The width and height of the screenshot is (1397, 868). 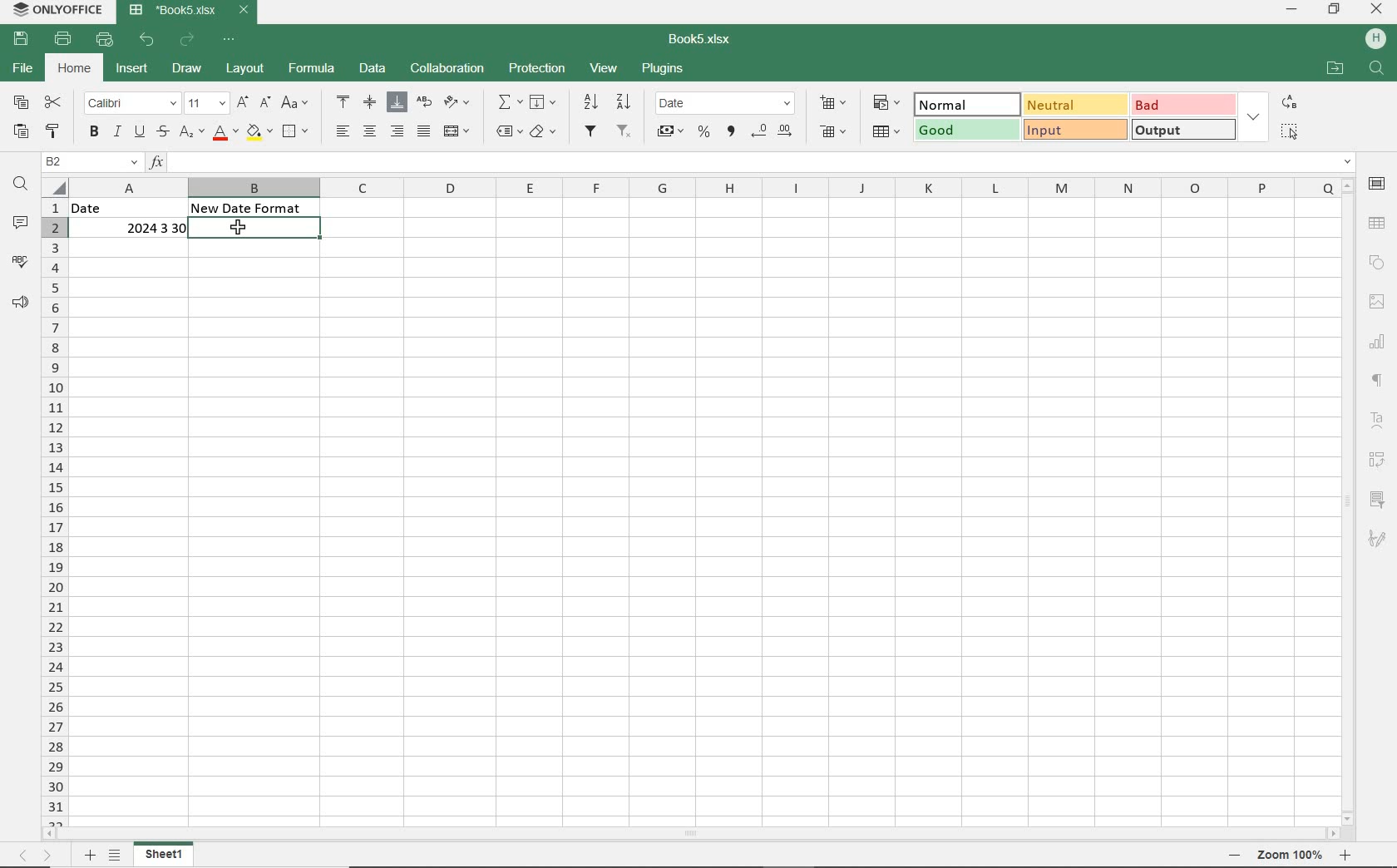 I want to click on NAMED RANGES, so click(x=505, y=131).